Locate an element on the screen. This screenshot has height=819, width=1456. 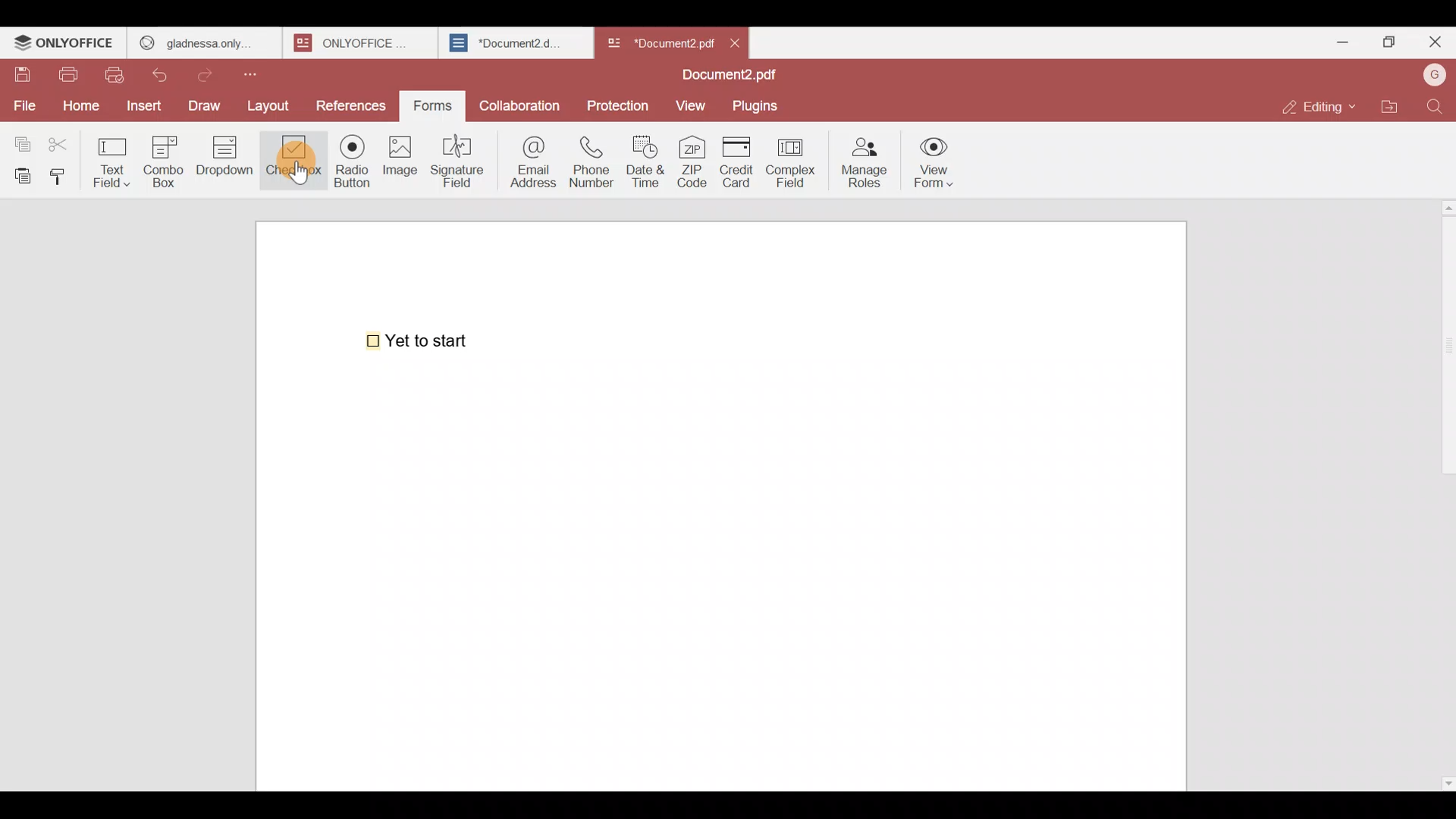
Text field is located at coordinates (115, 158).